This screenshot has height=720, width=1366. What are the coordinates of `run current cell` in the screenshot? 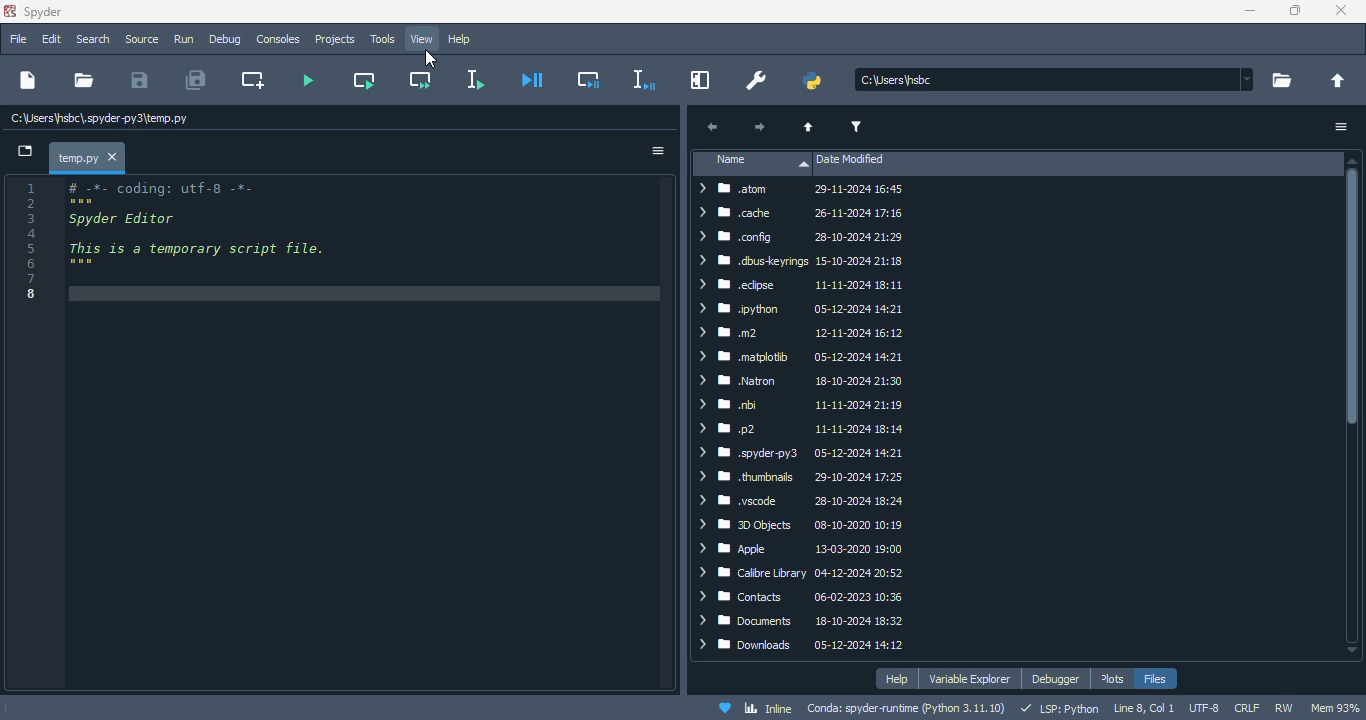 It's located at (365, 80).